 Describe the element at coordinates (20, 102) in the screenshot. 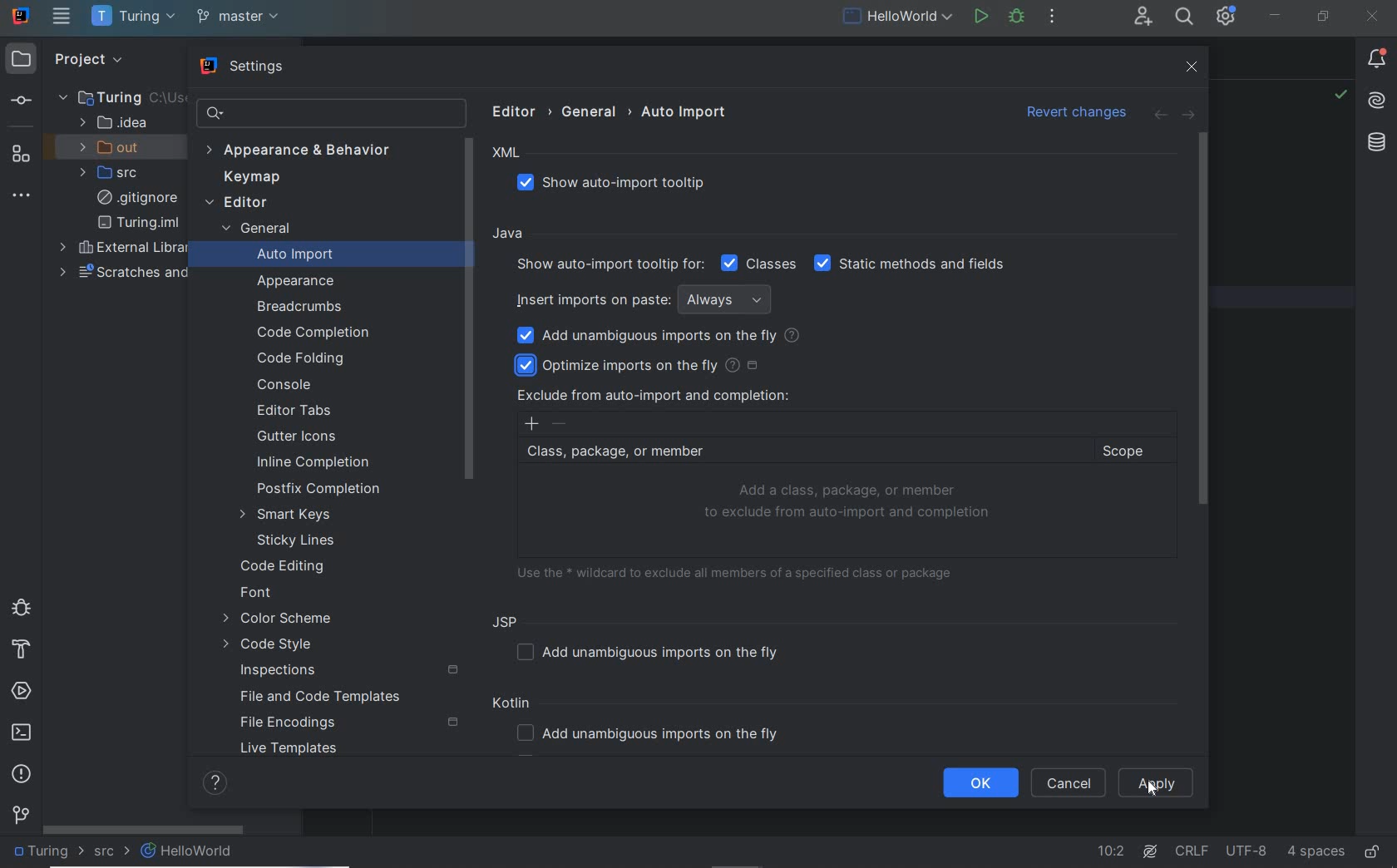

I see `commit` at that location.